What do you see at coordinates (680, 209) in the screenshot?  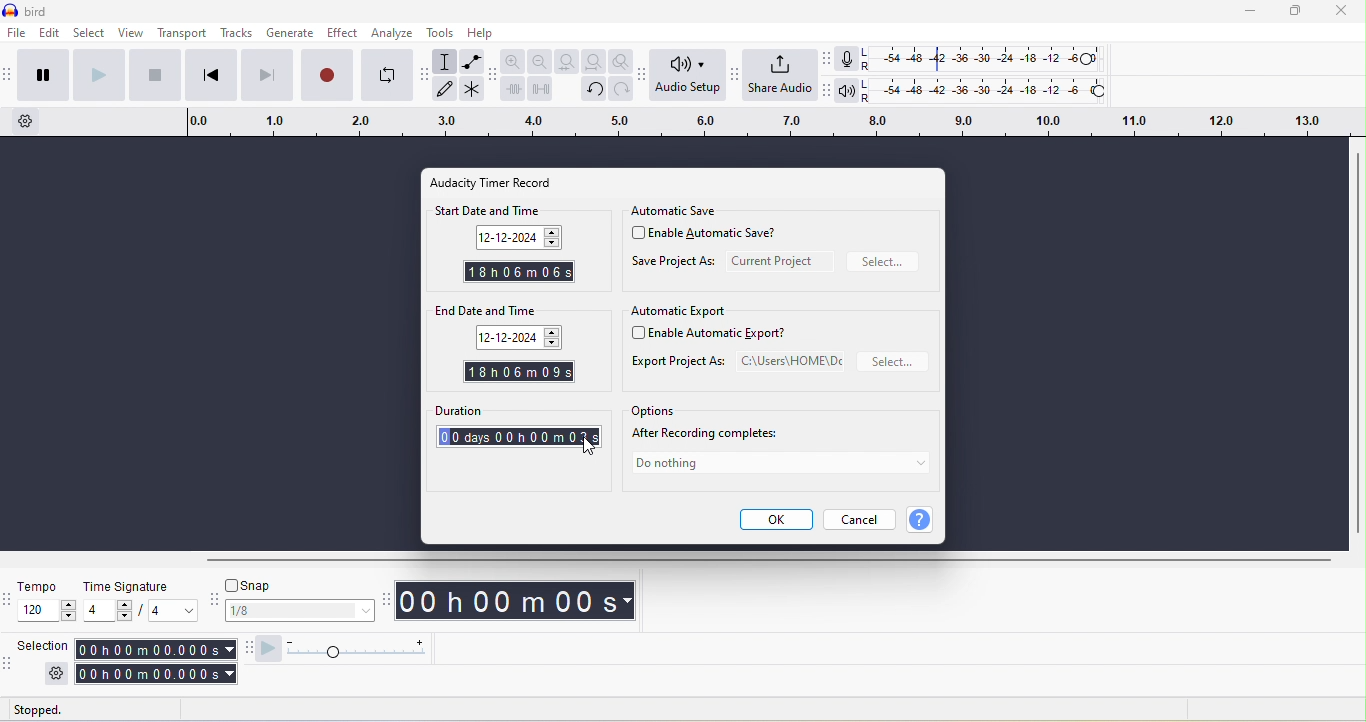 I see `automatic save` at bounding box center [680, 209].